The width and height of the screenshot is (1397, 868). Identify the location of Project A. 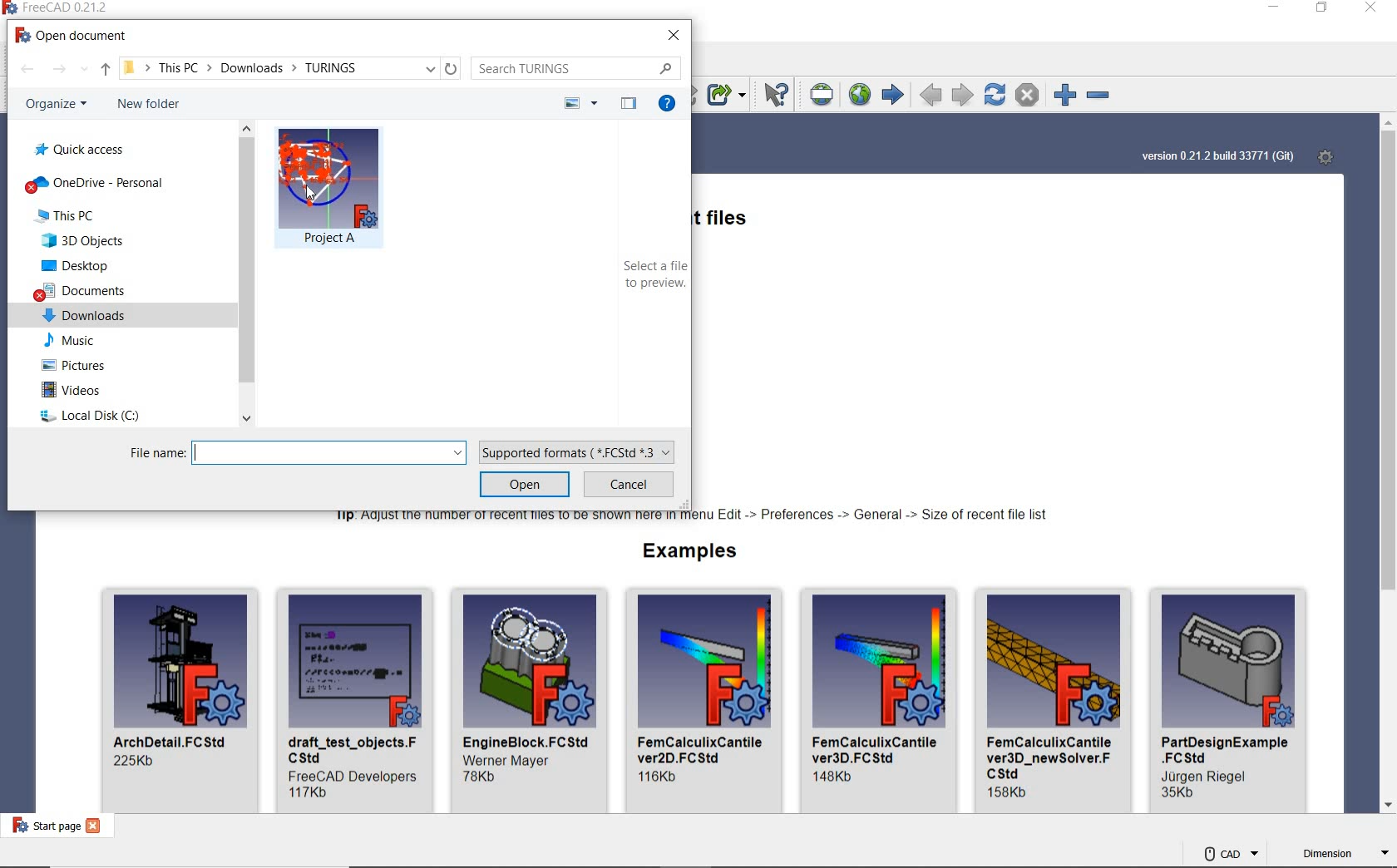
(330, 238).